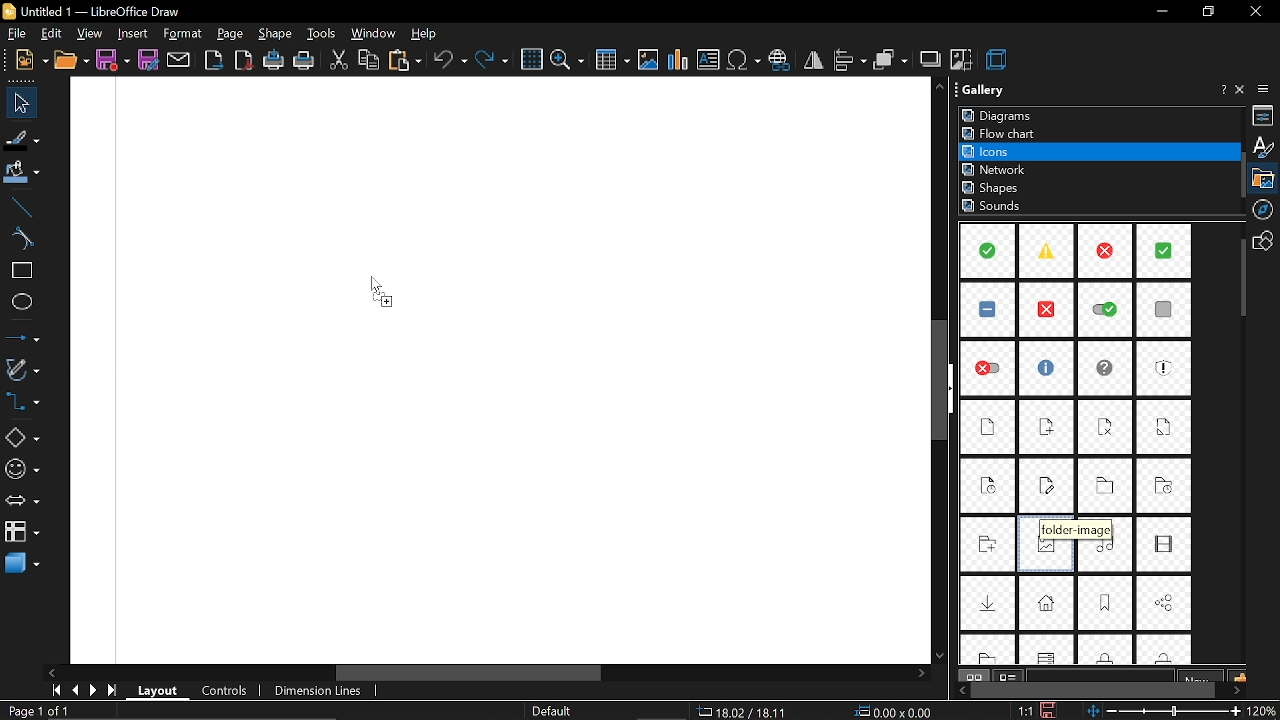  Describe the element at coordinates (1240, 279) in the screenshot. I see `vertical scrollbar` at that location.